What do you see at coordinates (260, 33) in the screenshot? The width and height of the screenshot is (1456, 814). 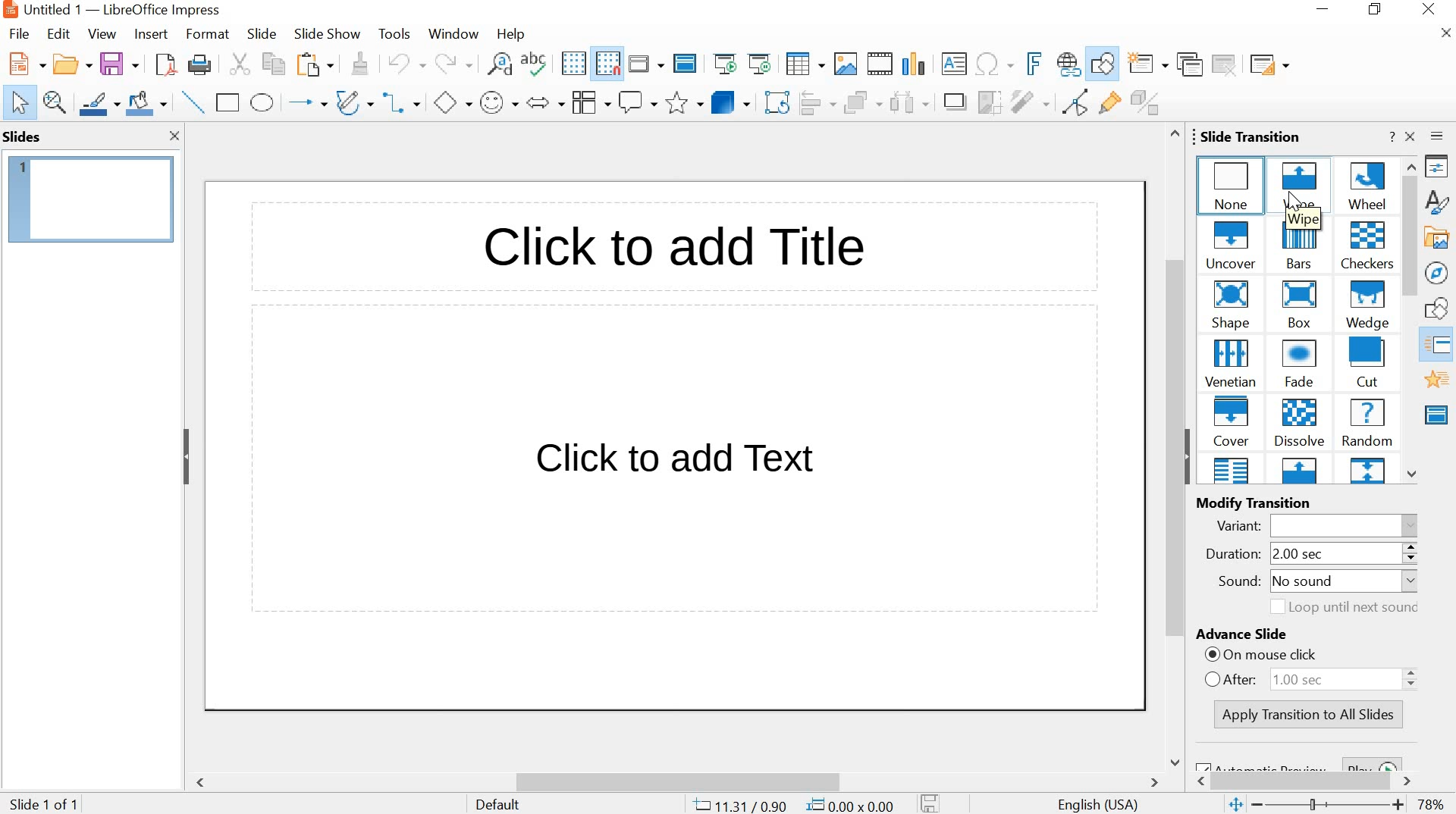 I see `SLIDE` at bounding box center [260, 33].